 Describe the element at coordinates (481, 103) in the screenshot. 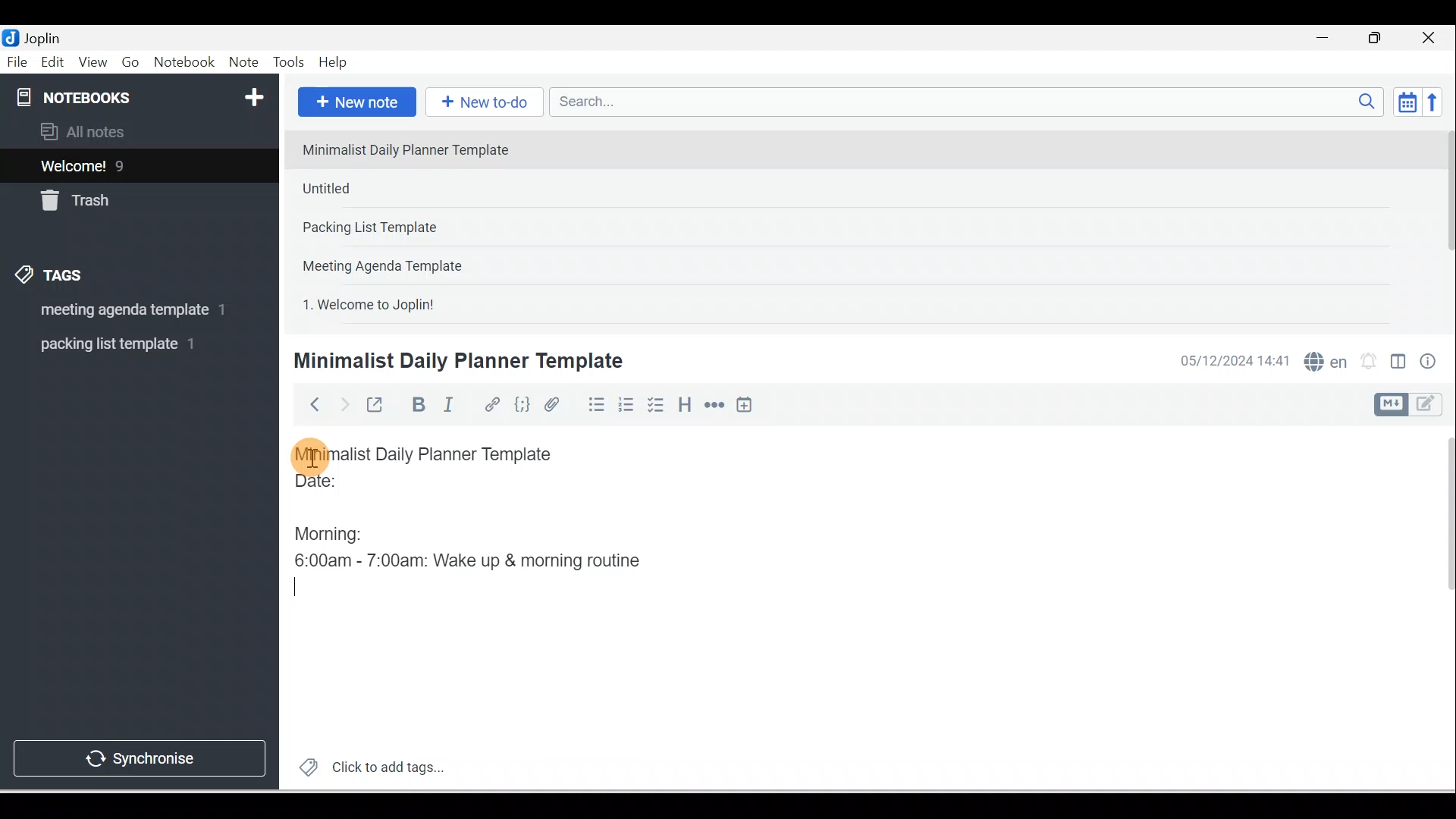

I see `New to-do` at that location.